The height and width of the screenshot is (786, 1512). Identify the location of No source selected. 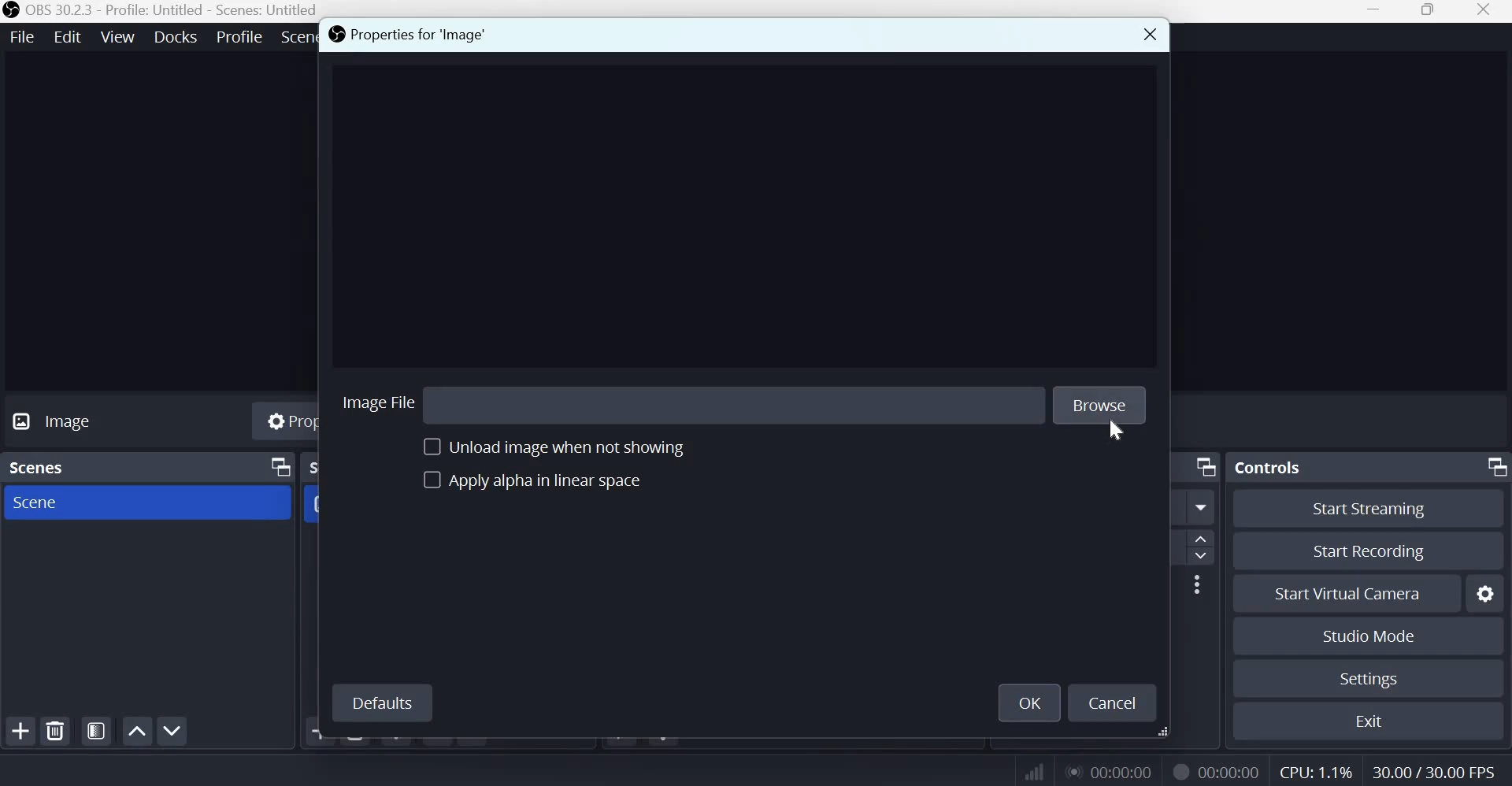
(87, 424).